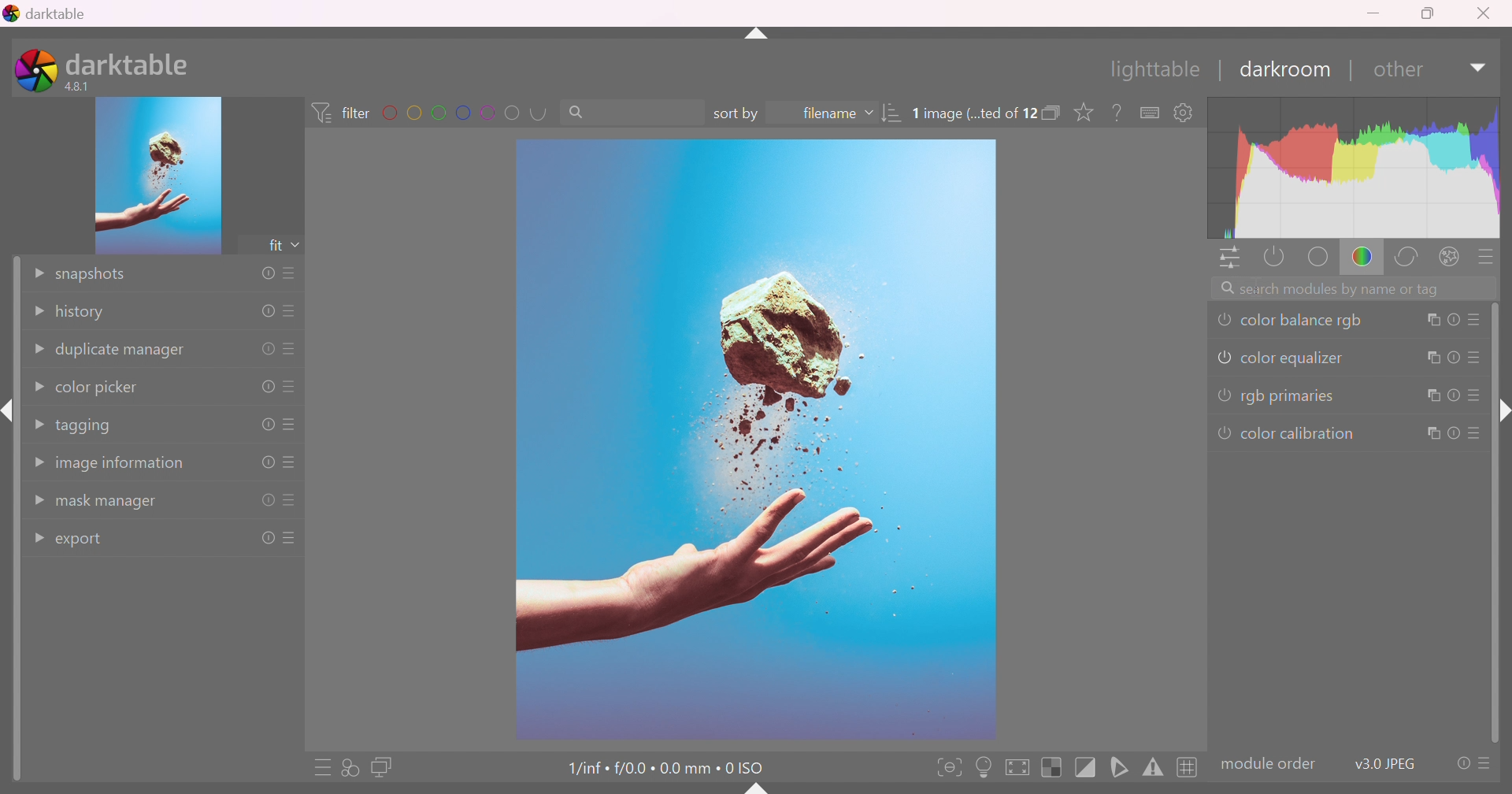 The image size is (1512, 794). Describe the element at coordinates (1354, 169) in the screenshot. I see `graph` at that location.